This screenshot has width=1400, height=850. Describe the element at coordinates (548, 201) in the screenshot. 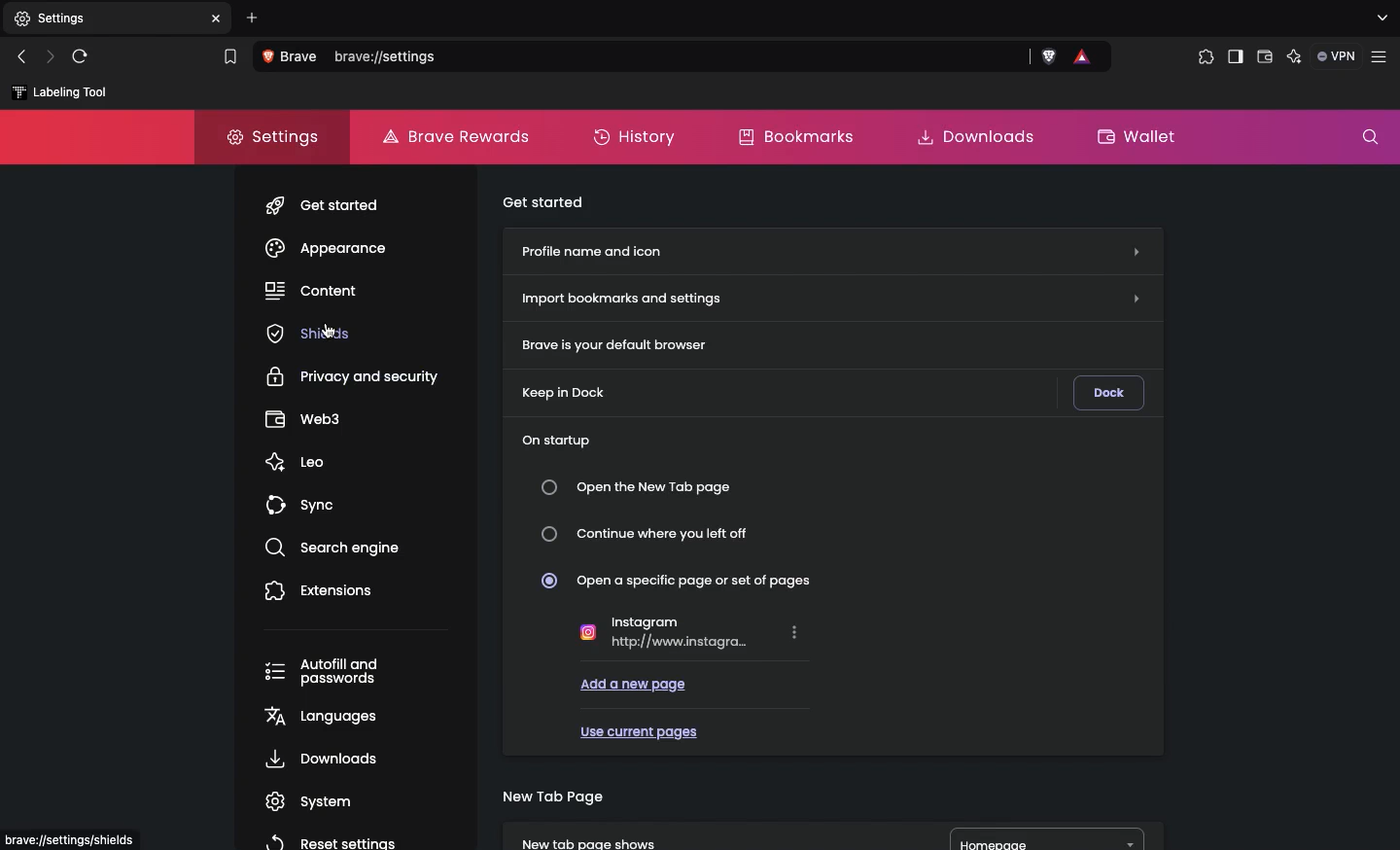

I see `Get started` at that location.